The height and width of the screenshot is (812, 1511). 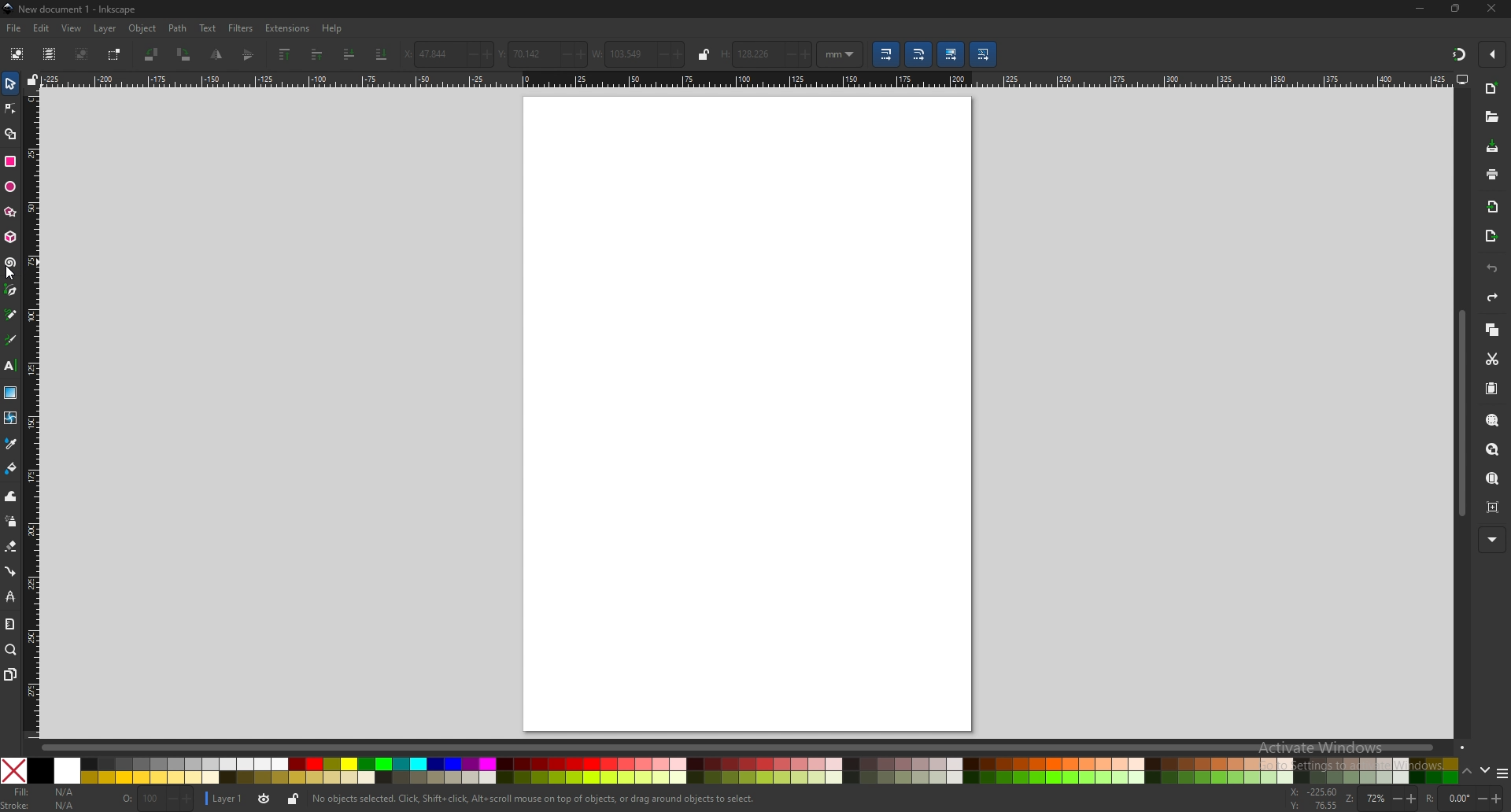 I want to click on eraser, so click(x=11, y=547).